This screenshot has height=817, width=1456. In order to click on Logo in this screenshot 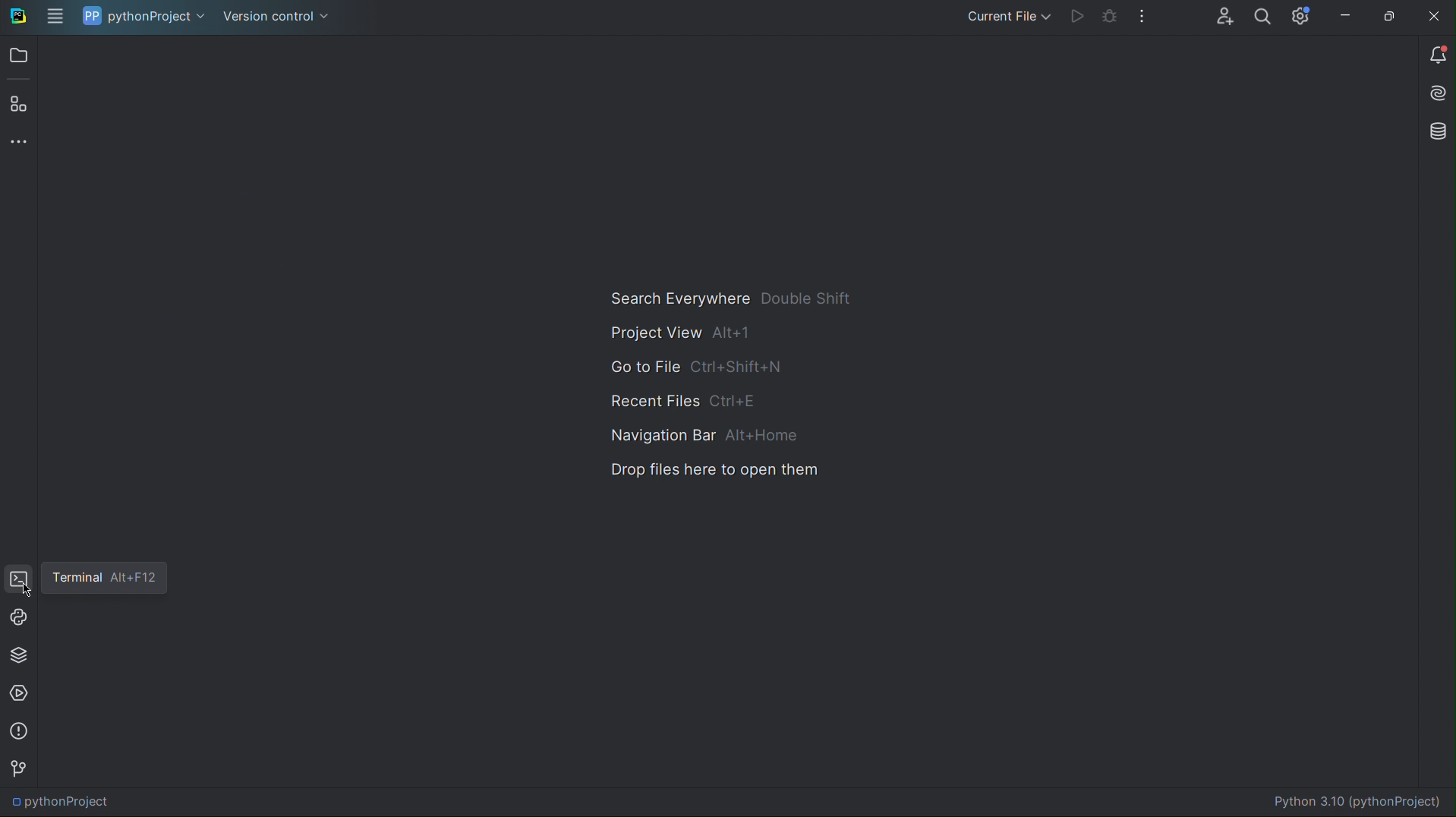, I will do `click(20, 17)`.